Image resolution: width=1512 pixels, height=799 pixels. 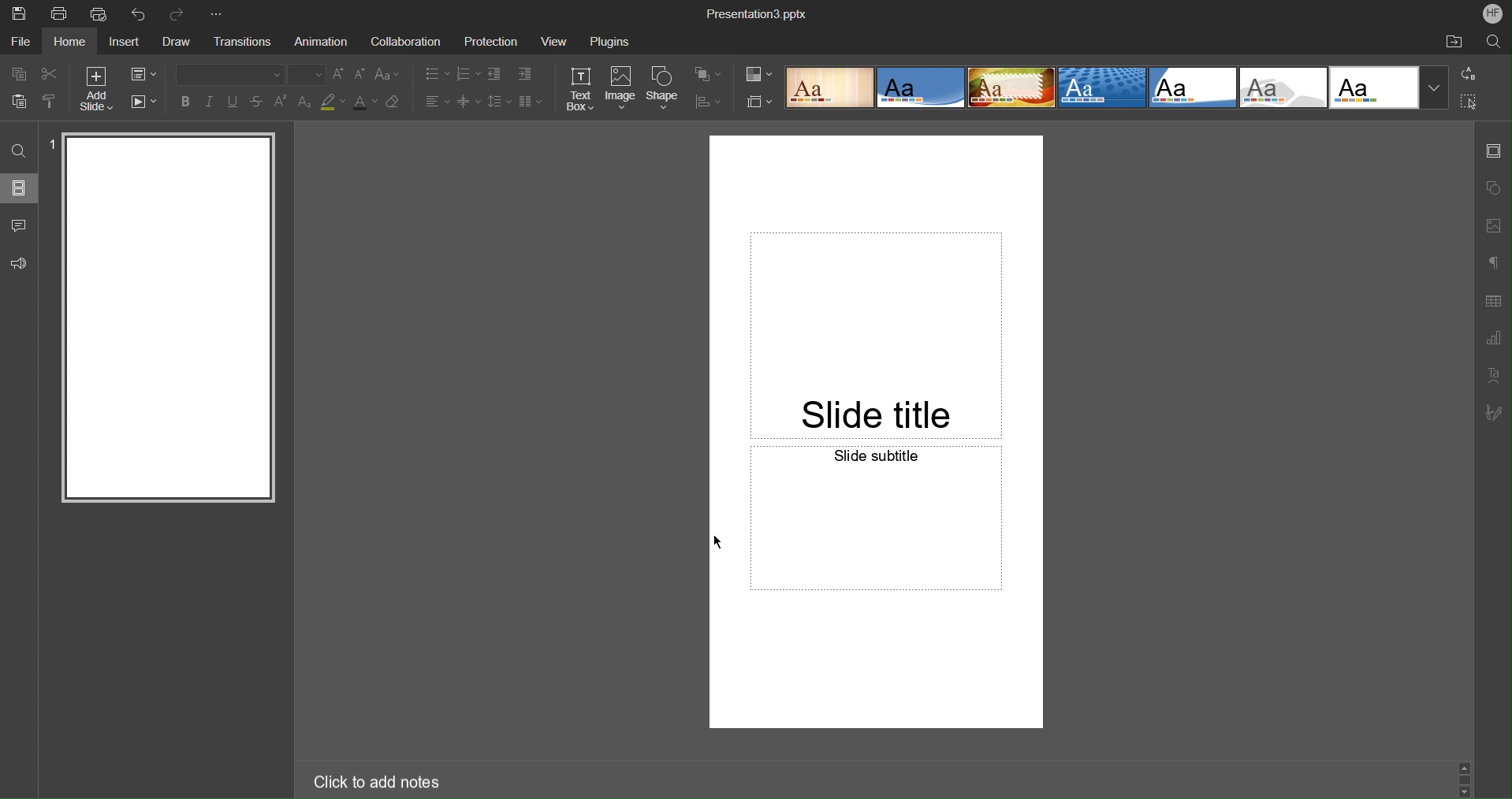 I want to click on Home, so click(x=71, y=43).